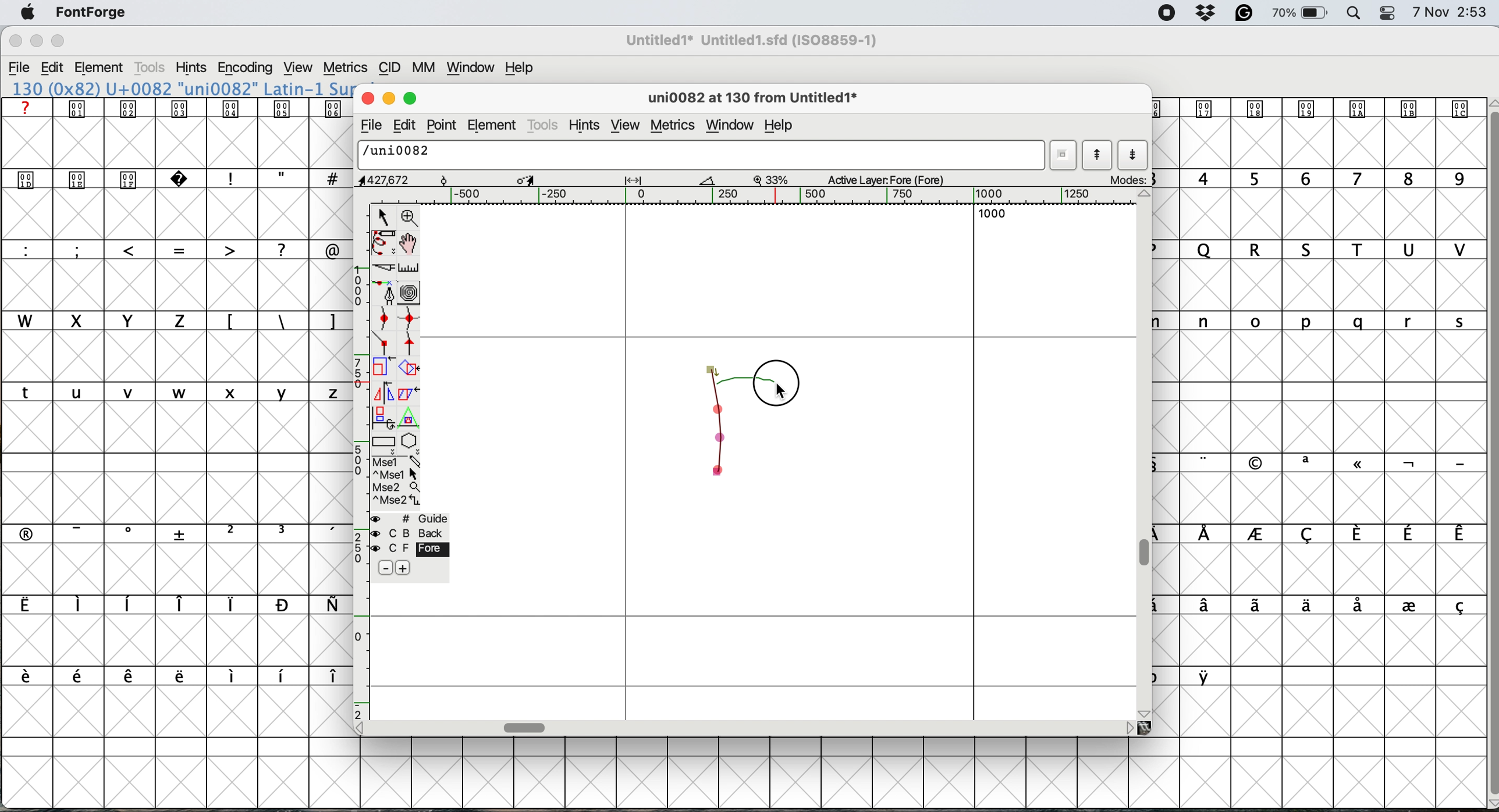 Image resolution: width=1499 pixels, height=812 pixels. Describe the element at coordinates (379, 268) in the screenshot. I see `cut splines in two` at that location.